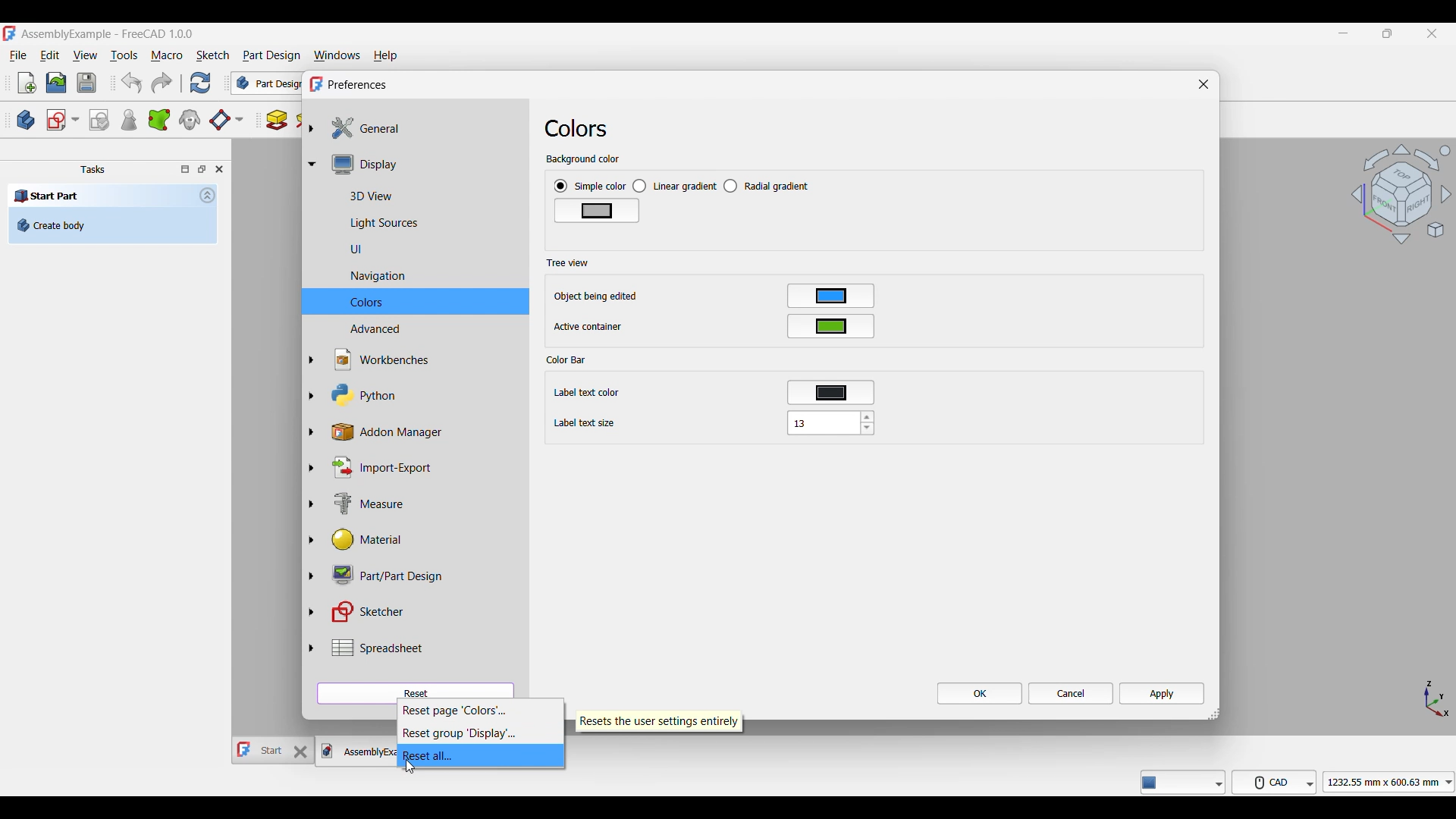  Describe the element at coordinates (356, 503) in the screenshot. I see `Measure ` at that location.